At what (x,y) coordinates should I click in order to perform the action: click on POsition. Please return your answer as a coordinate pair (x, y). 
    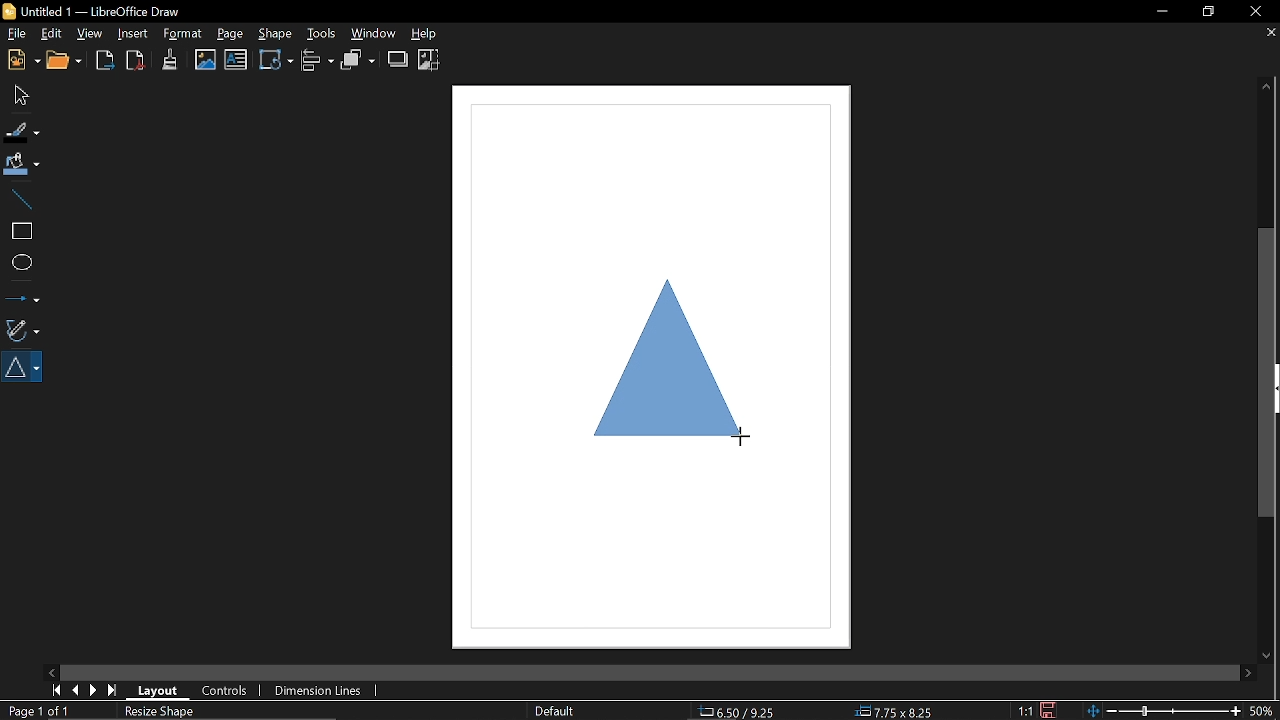
    Looking at the image, I should click on (747, 710).